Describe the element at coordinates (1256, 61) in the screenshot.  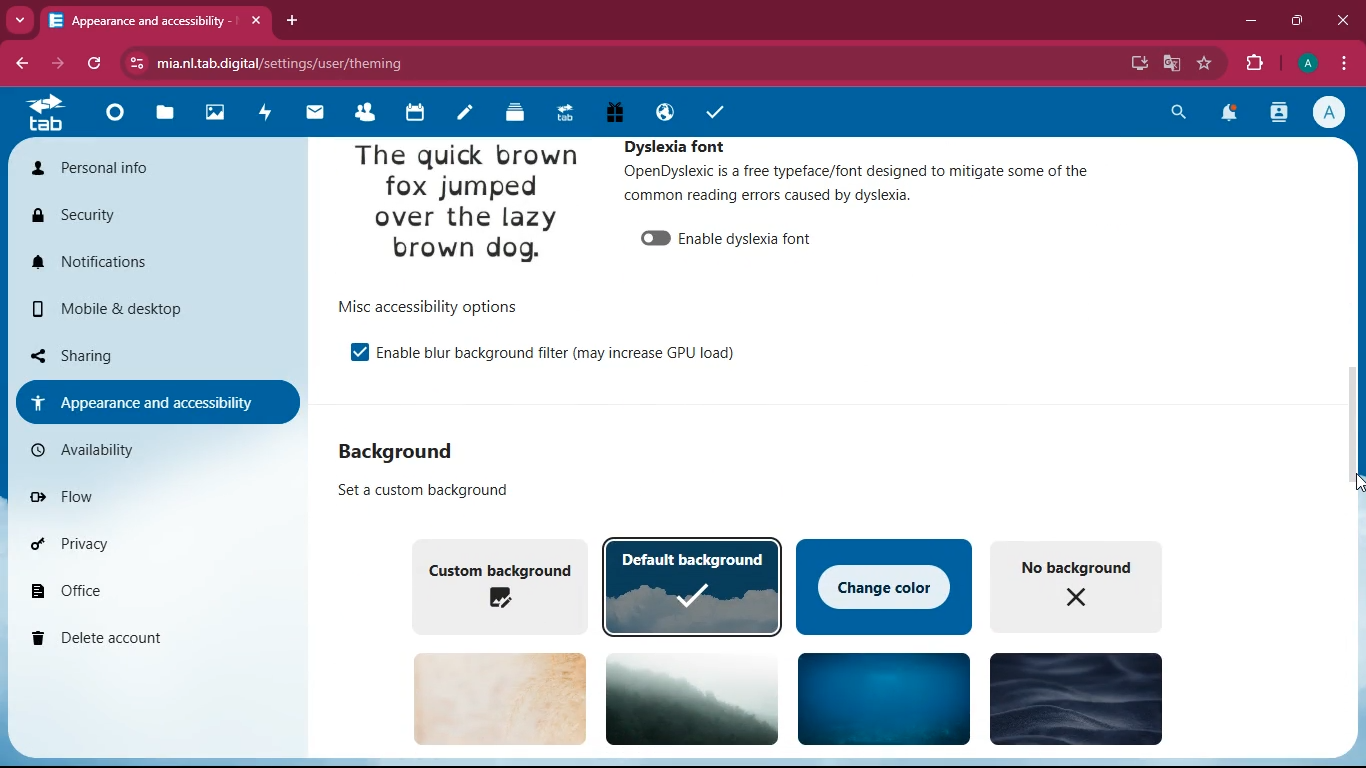
I see `extensions` at that location.